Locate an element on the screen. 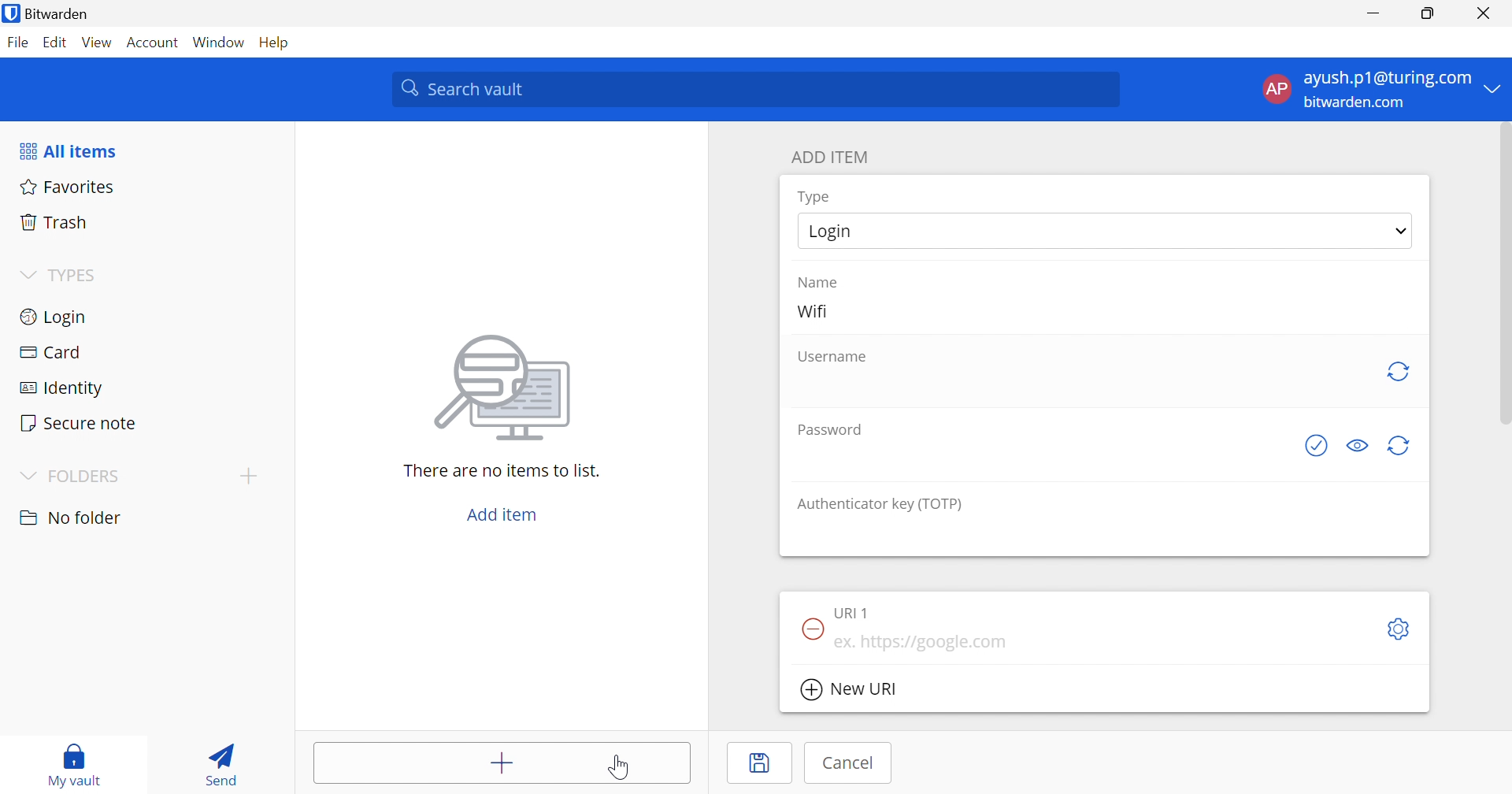 This screenshot has width=1512, height=794. New URI is located at coordinates (851, 692).